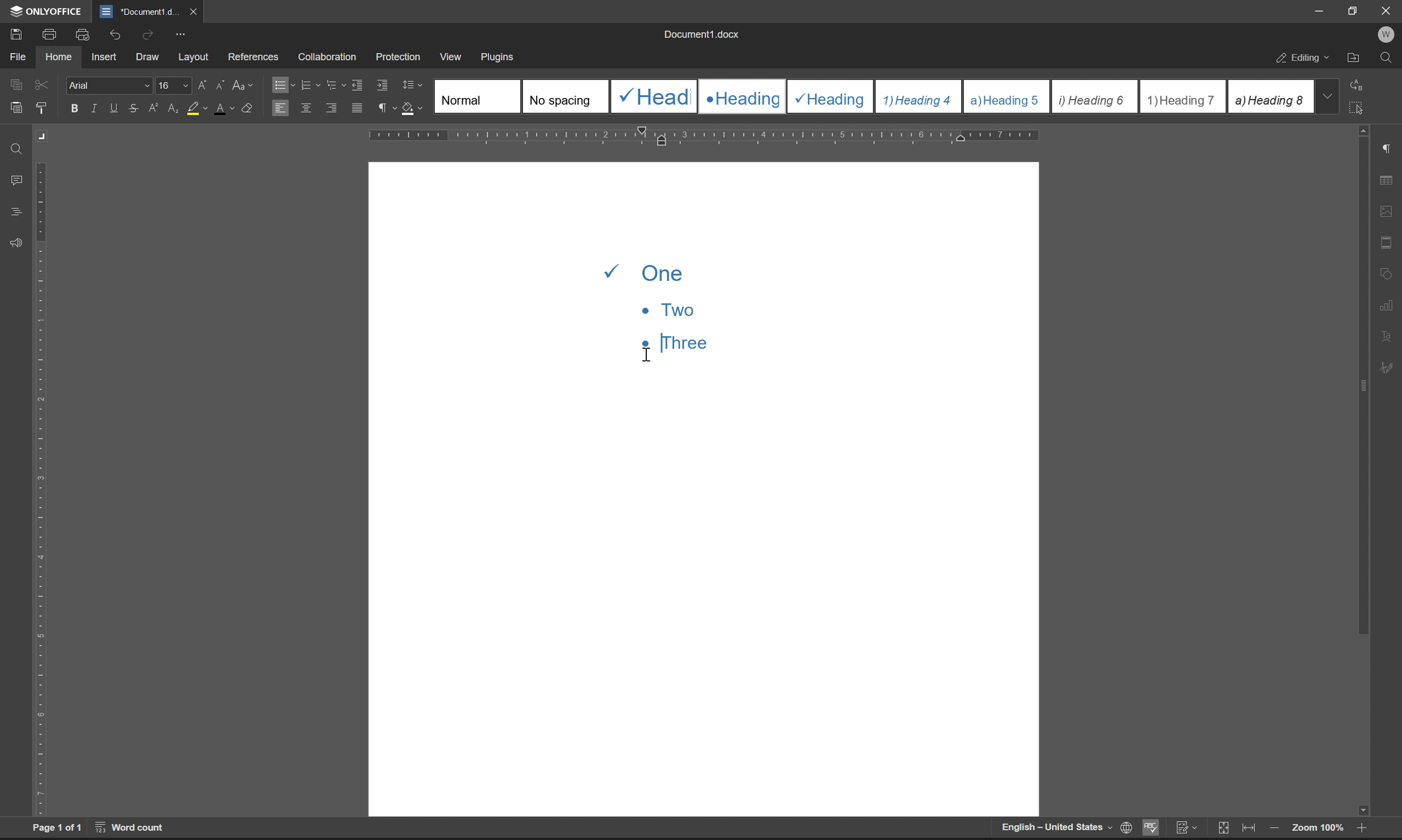 The height and width of the screenshot is (840, 1402). Describe the element at coordinates (16, 212) in the screenshot. I see `headings` at that location.